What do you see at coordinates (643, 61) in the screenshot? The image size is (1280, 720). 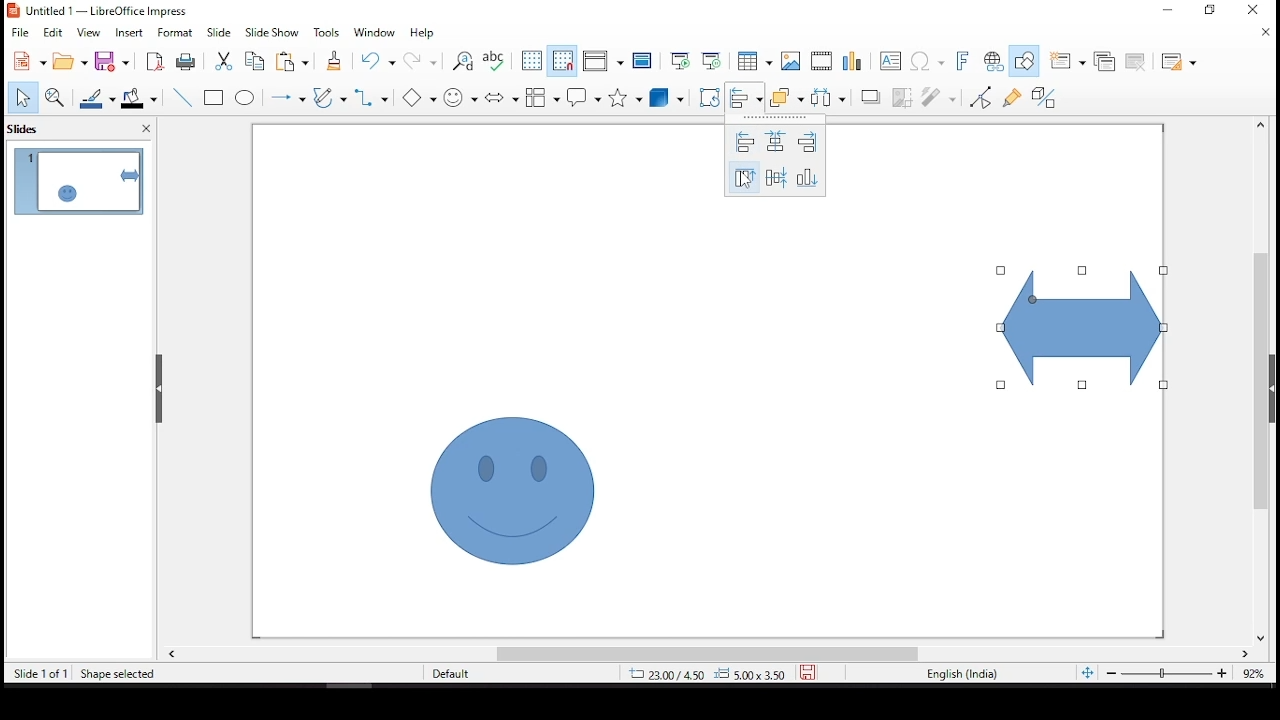 I see `master slide` at bounding box center [643, 61].